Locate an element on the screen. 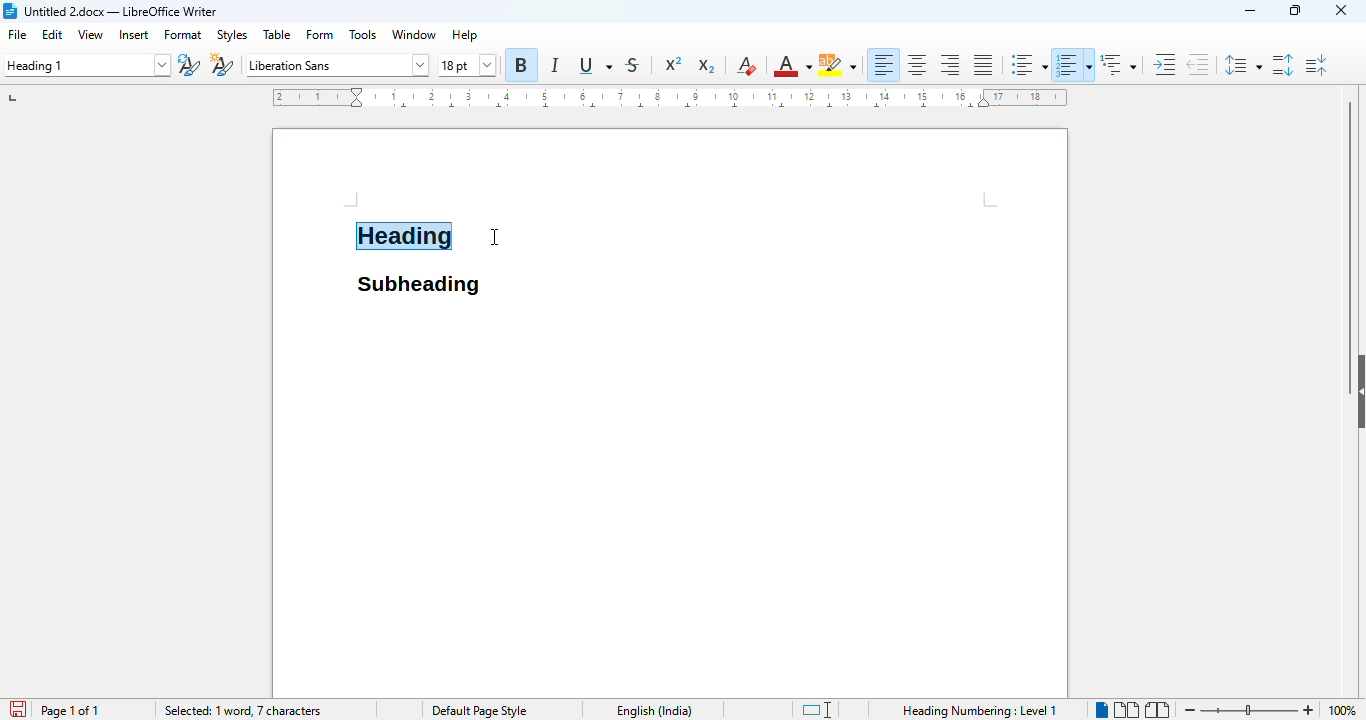  update selected style is located at coordinates (189, 65).